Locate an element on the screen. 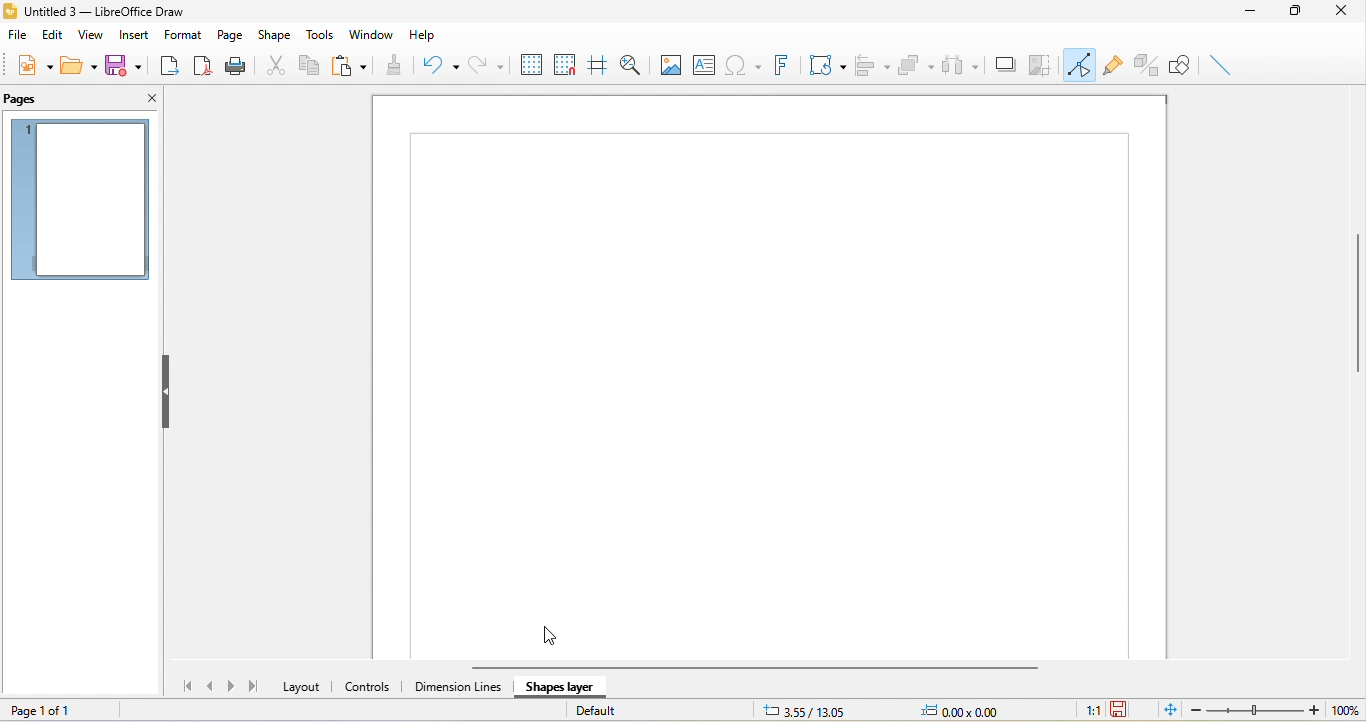  view is located at coordinates (89, 35).